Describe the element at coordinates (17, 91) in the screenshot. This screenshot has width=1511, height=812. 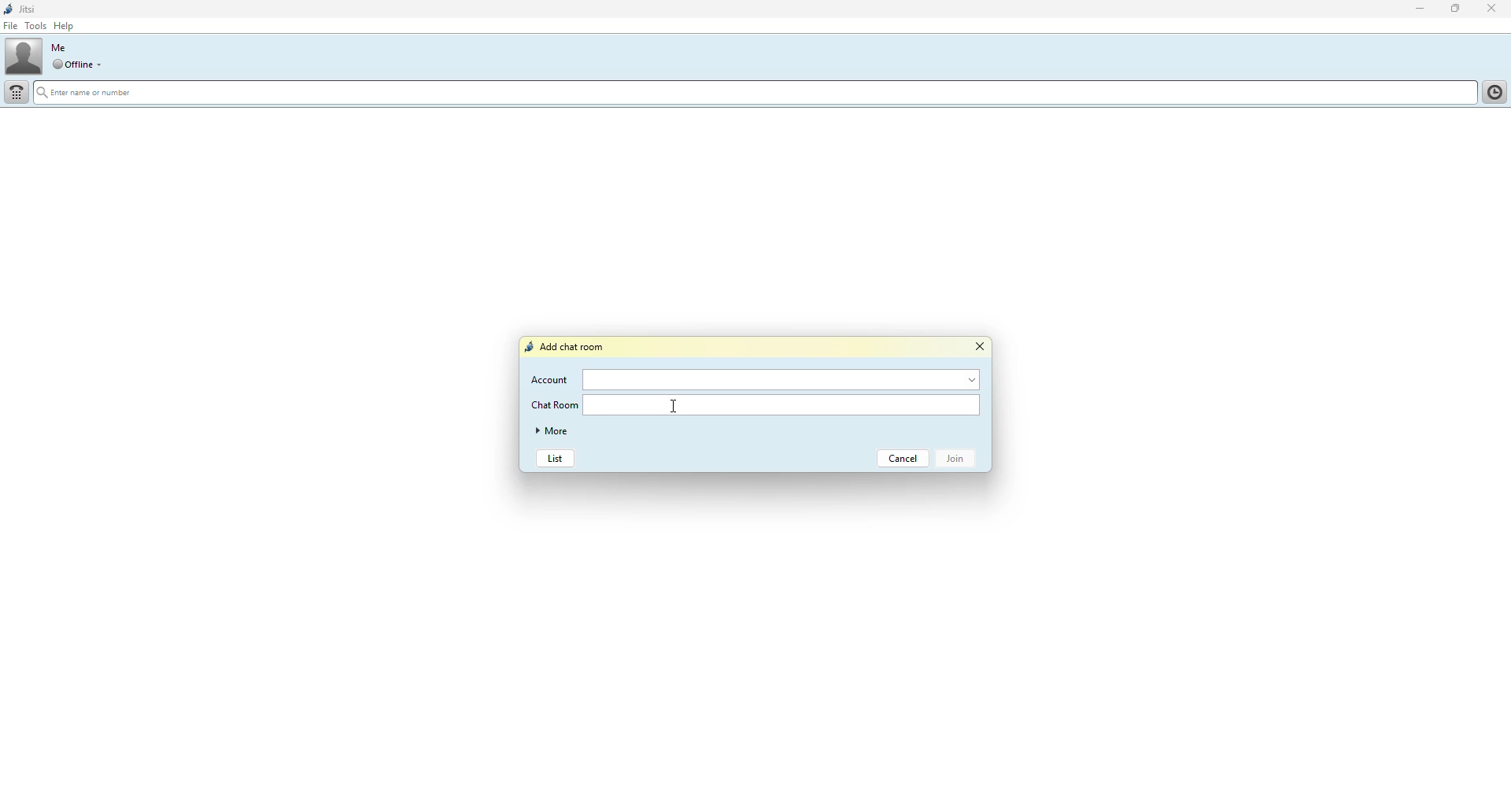
I see `dial pad` at that location.